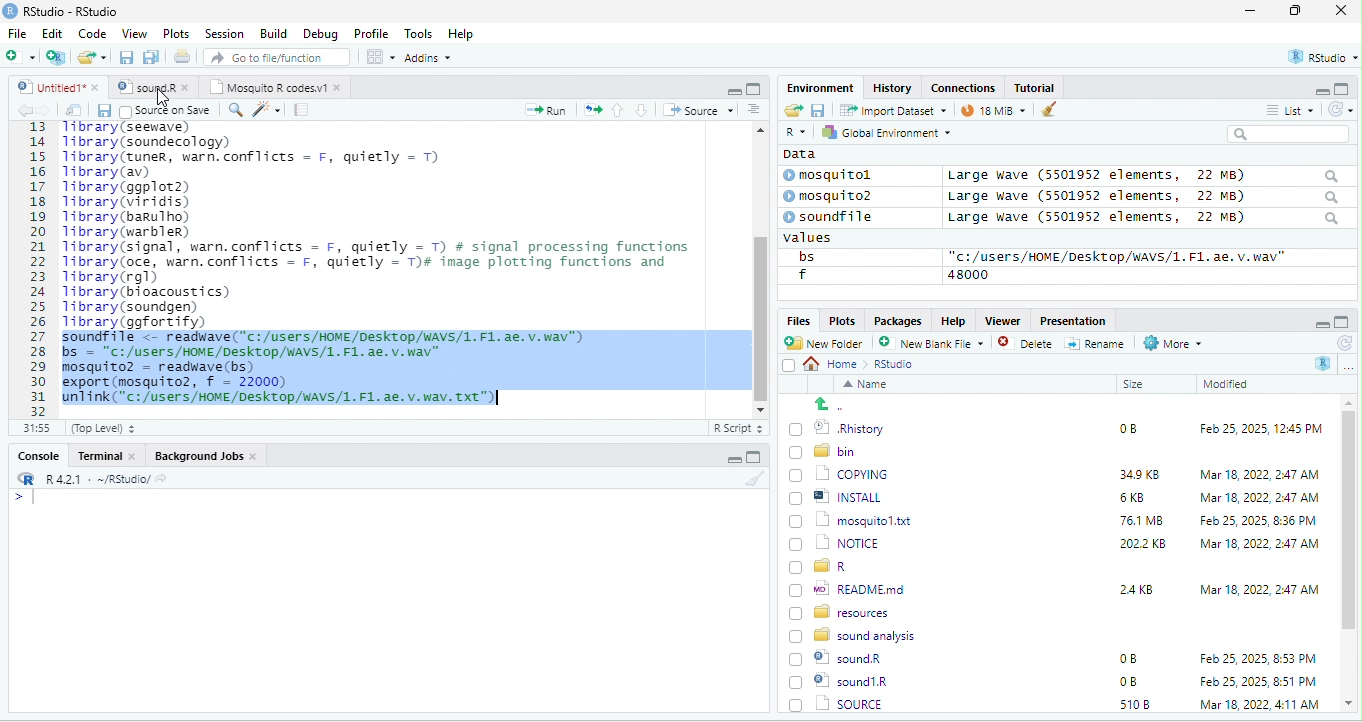 Image resolution: width=1362 pixels, height=722 pixels. Describe the element at coordinates (1314, 90) in the screenshot. I see `minimize` at that location.